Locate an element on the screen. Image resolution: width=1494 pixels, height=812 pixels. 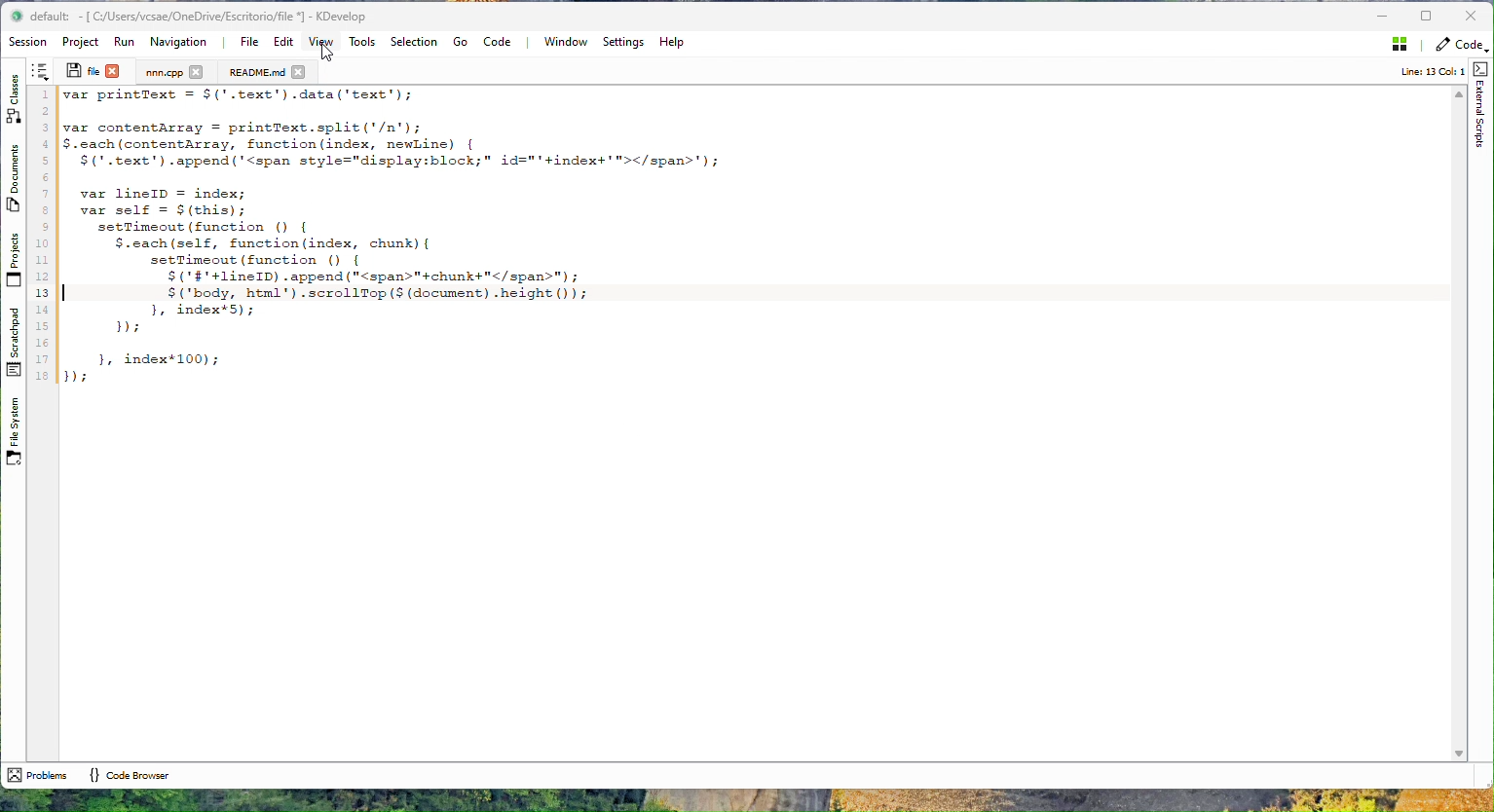
info is located at coordinates (1424, 72).